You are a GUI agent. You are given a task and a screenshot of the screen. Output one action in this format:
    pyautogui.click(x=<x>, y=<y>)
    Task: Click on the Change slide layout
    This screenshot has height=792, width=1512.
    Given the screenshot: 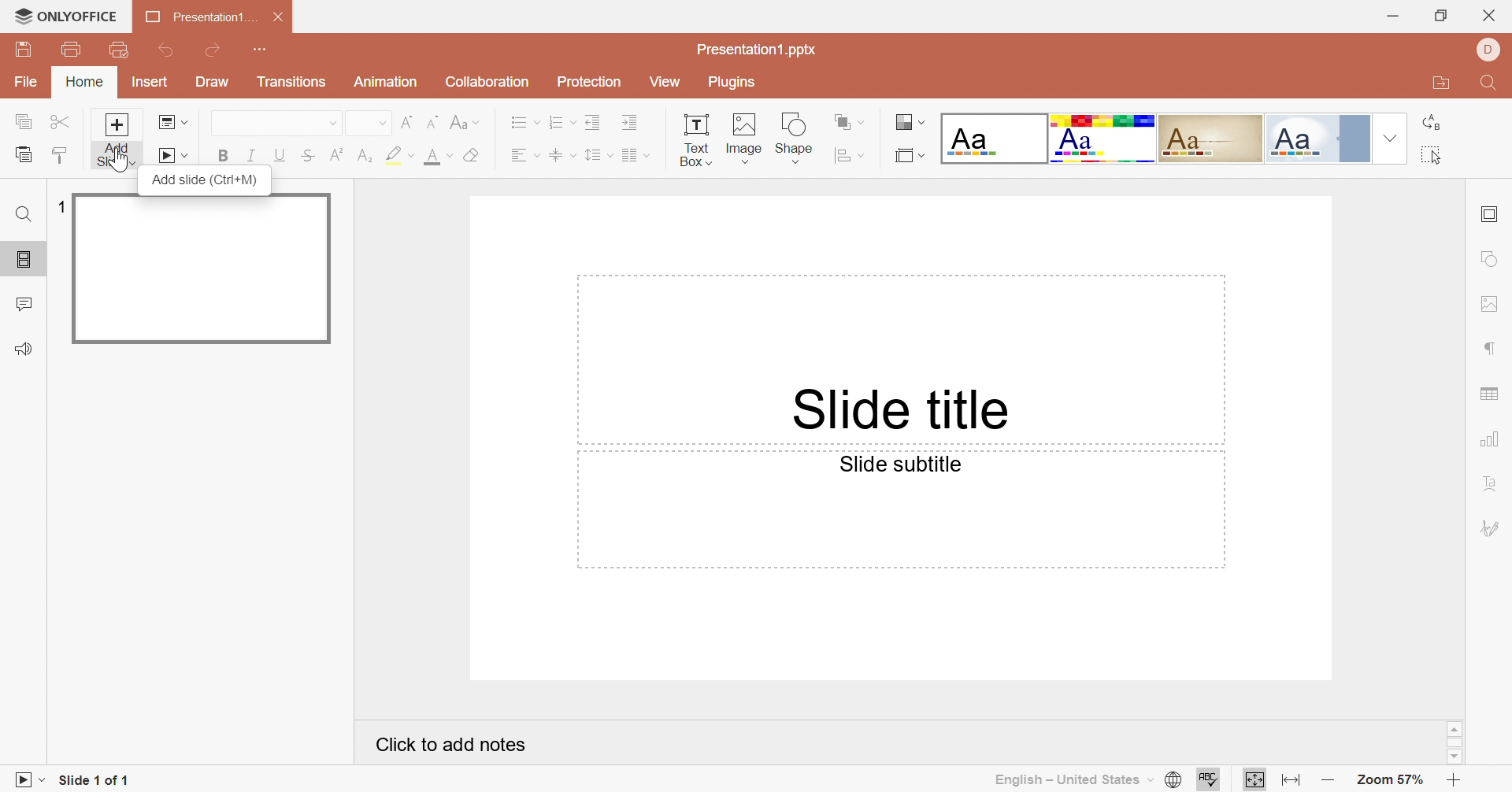 What is the action you would take?
    pyautogui.click(x=172, y=122)
    